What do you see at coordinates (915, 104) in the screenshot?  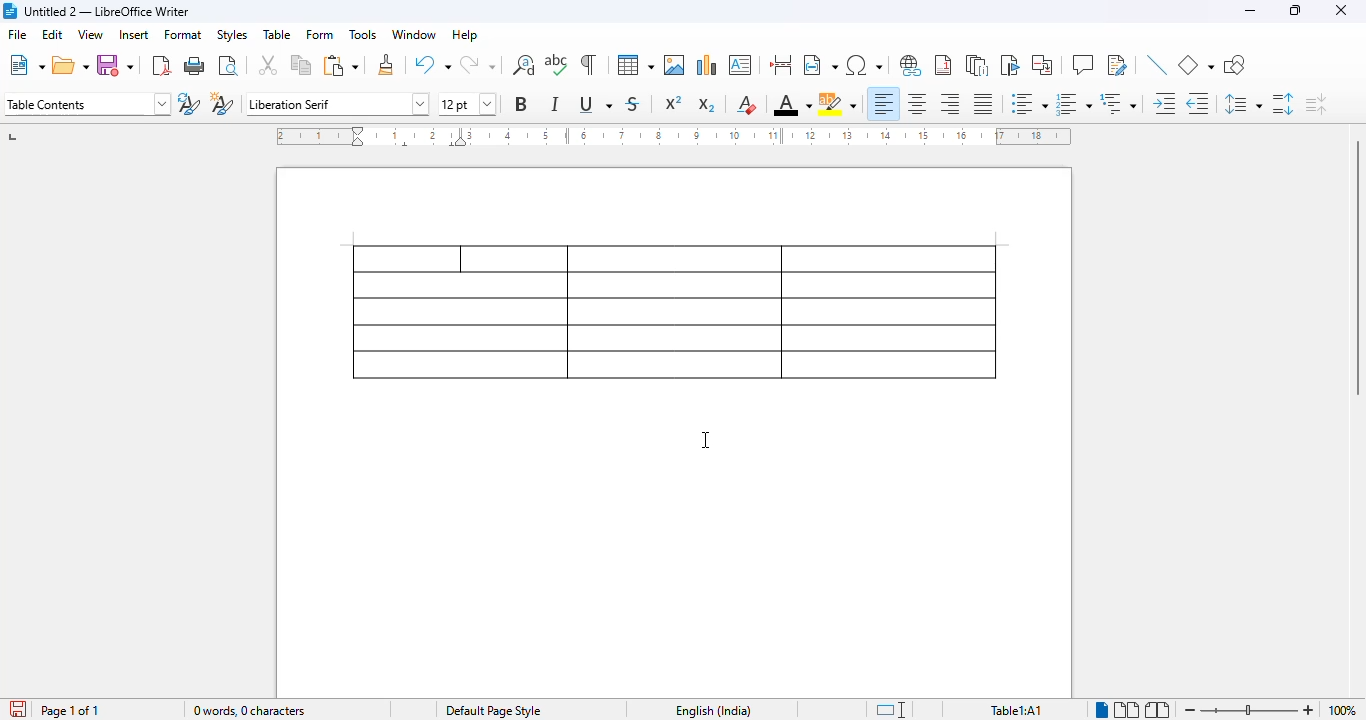 I see `align center` at bounding box center [915, 104].